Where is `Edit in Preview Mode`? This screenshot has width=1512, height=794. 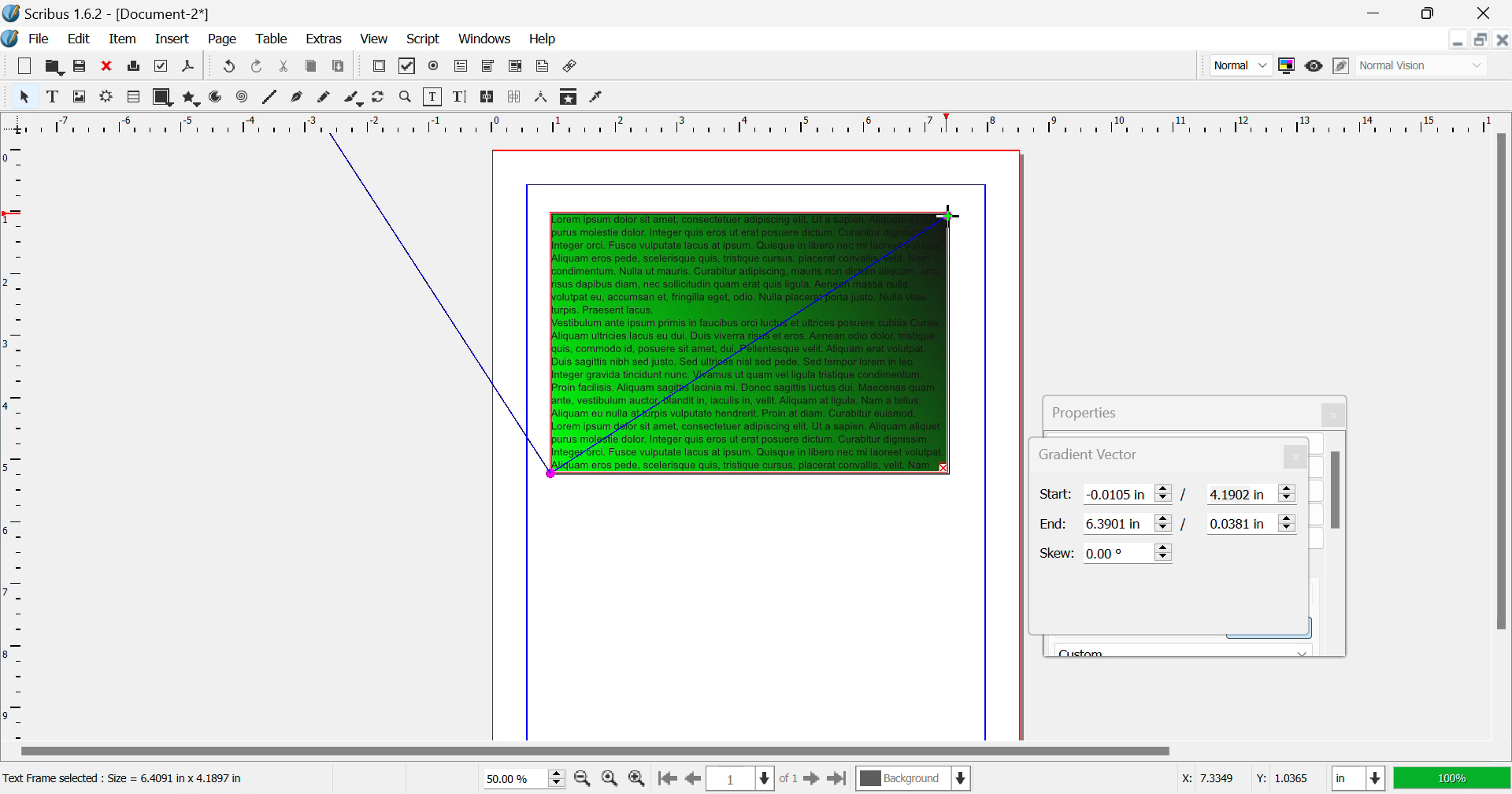
Edit in Preview Mode is located at coordinates (1343, 66).